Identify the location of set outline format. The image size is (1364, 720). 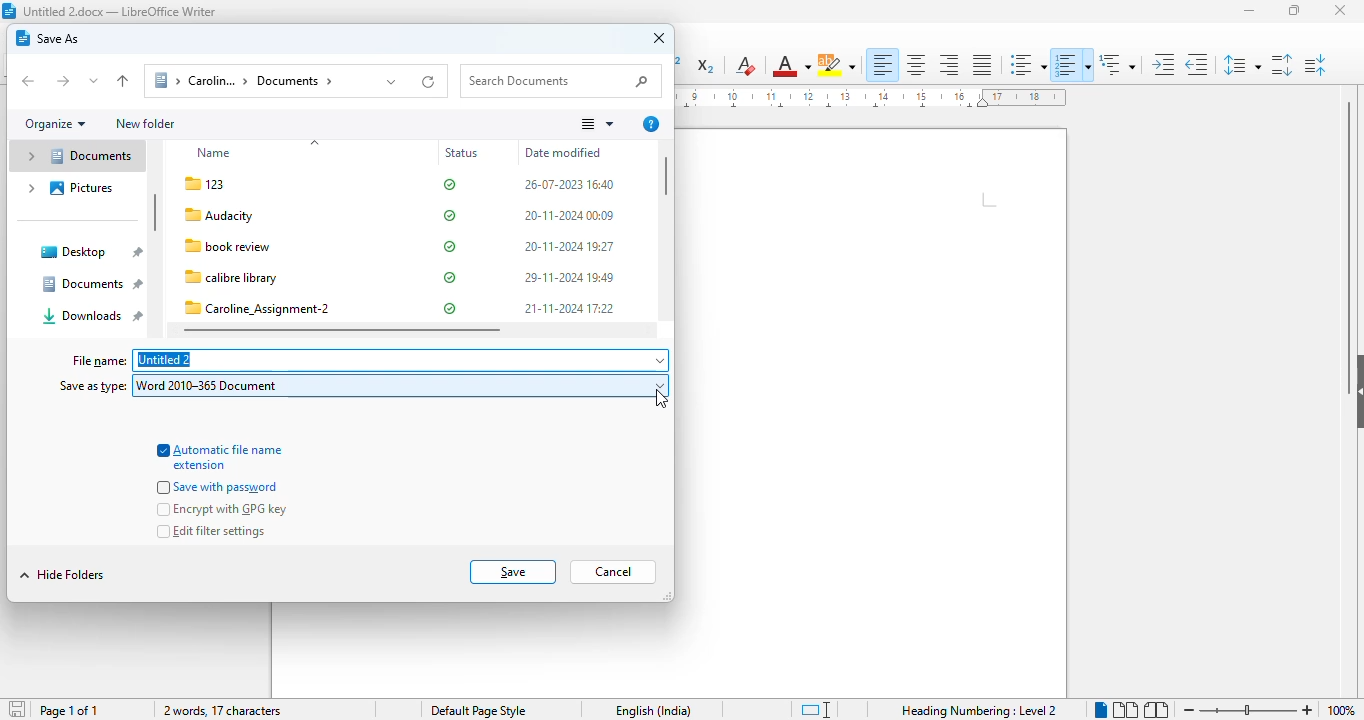
(1117, 63).